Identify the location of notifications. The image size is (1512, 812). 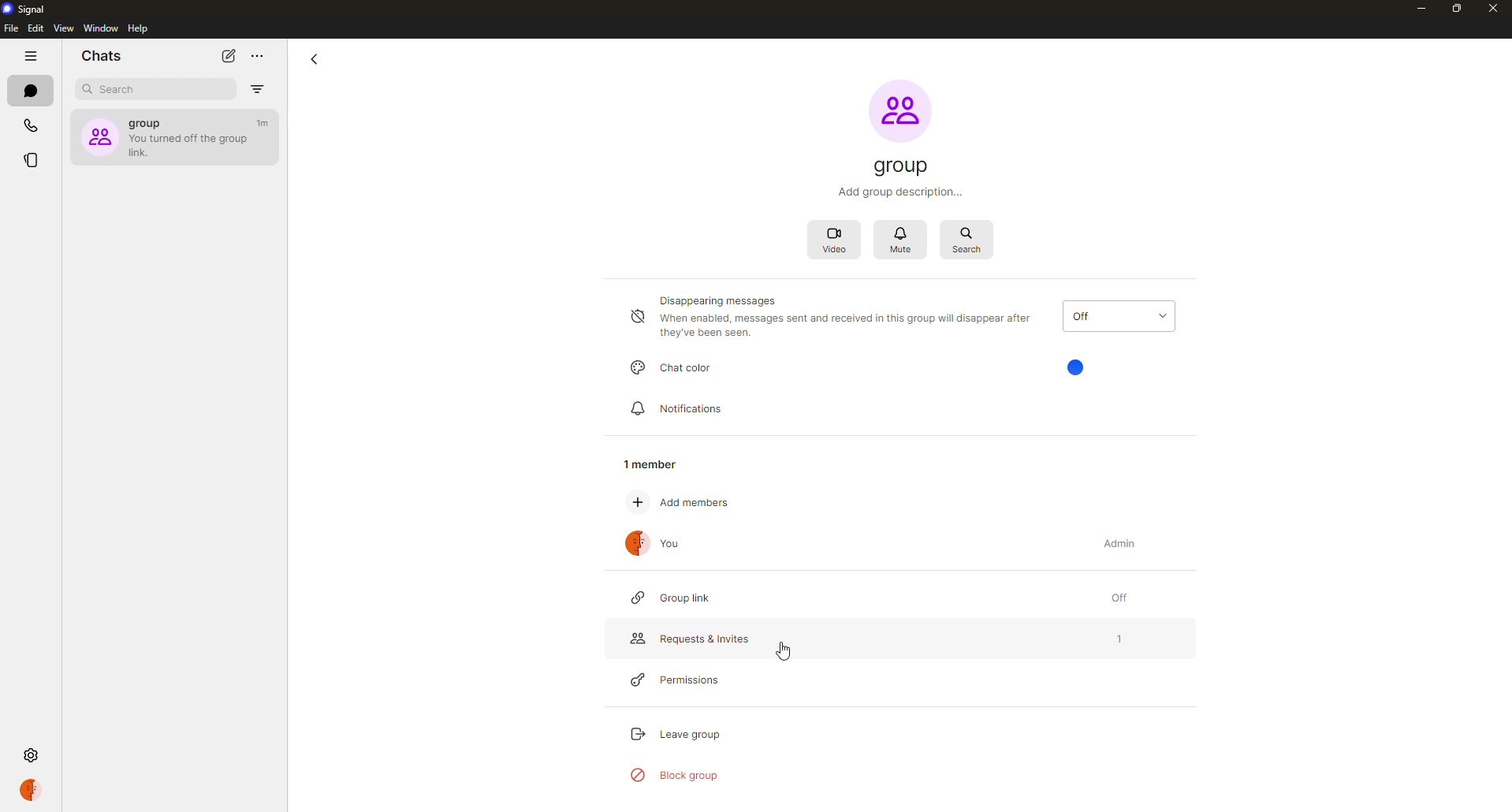
(676, 408).